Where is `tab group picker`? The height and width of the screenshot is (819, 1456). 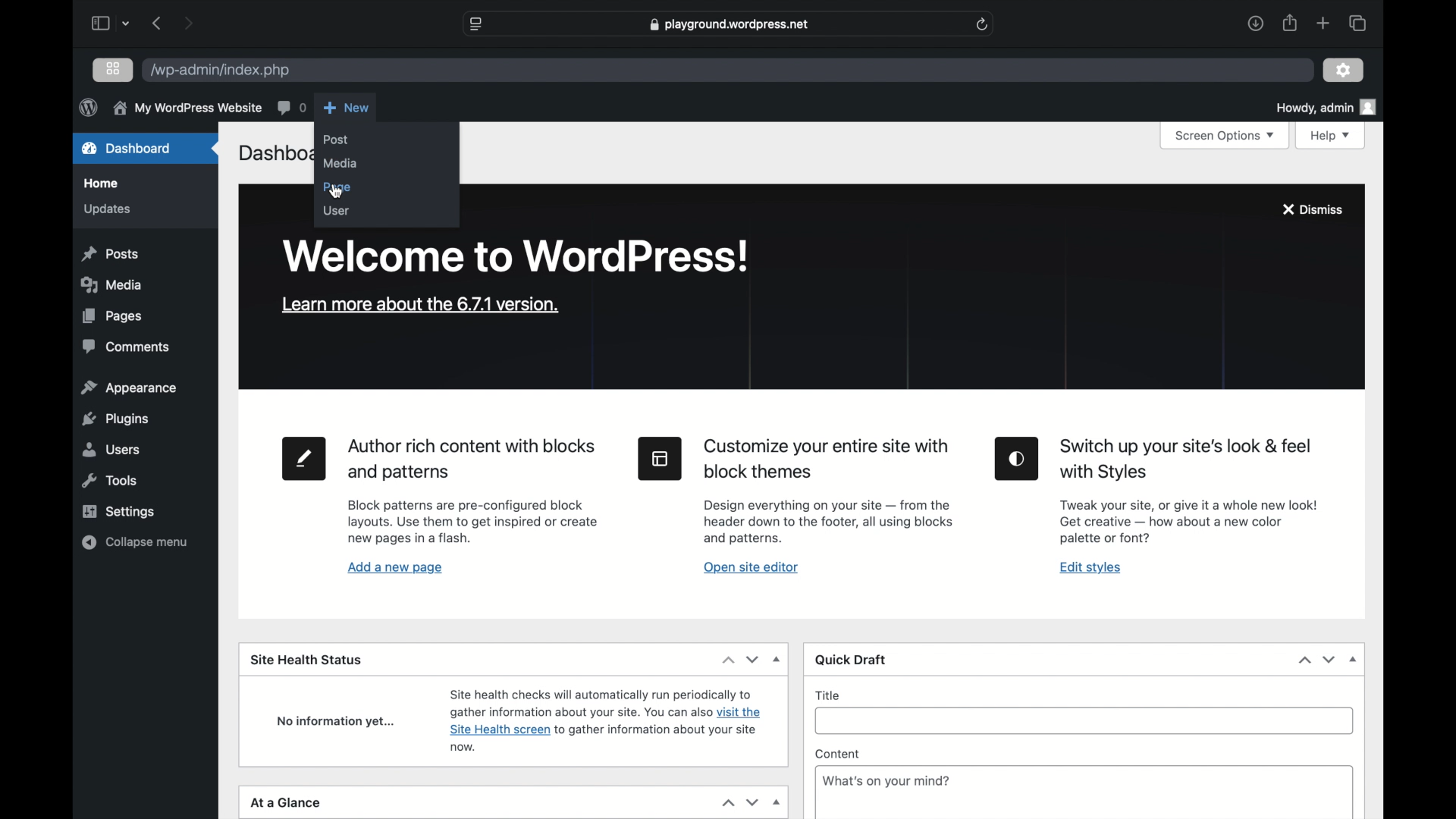 tab group picker is located at coordinates (127, 24).